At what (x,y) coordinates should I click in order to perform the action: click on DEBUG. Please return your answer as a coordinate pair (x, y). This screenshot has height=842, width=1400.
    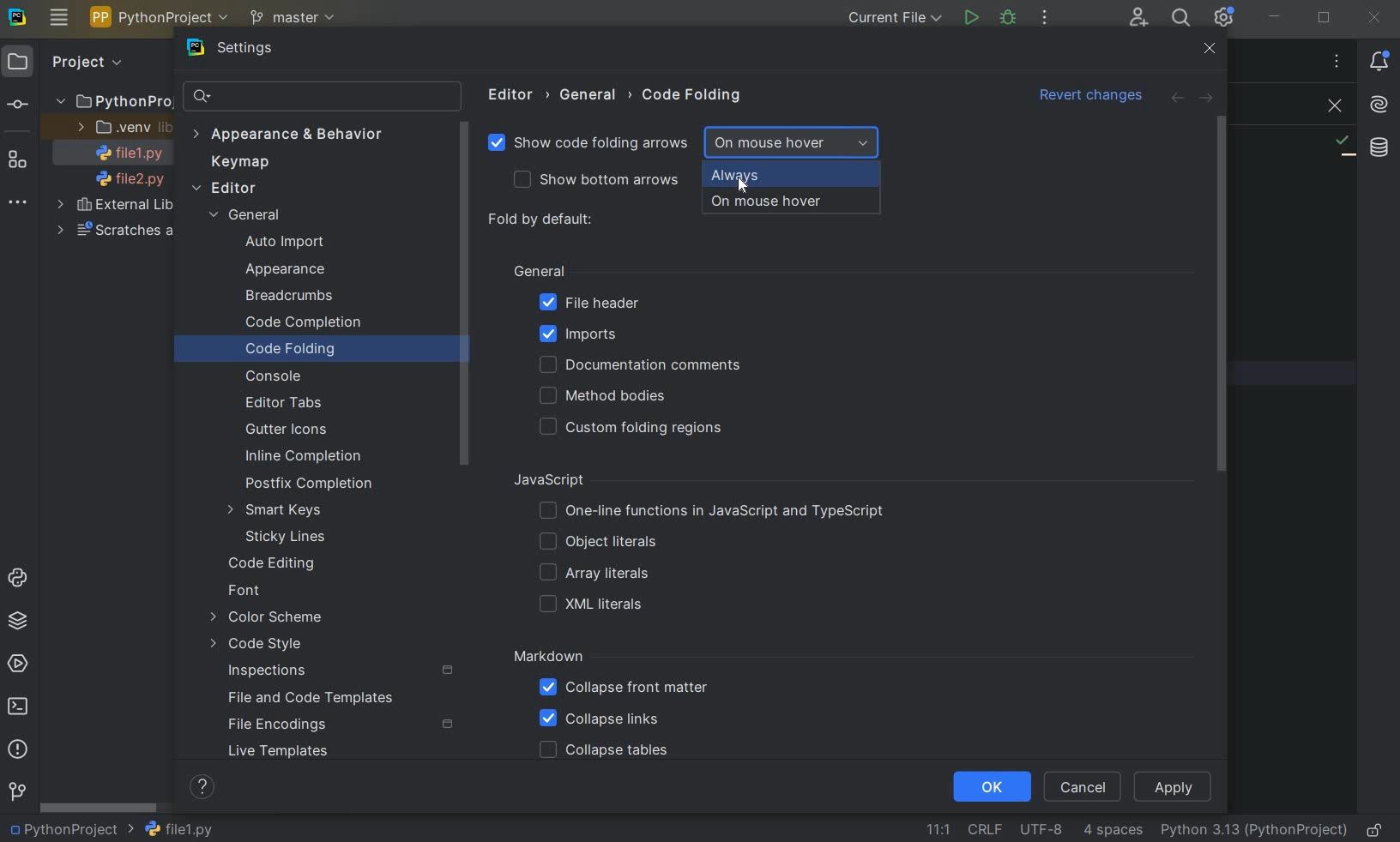
    Looking at the image, I should click on (1010, 19).